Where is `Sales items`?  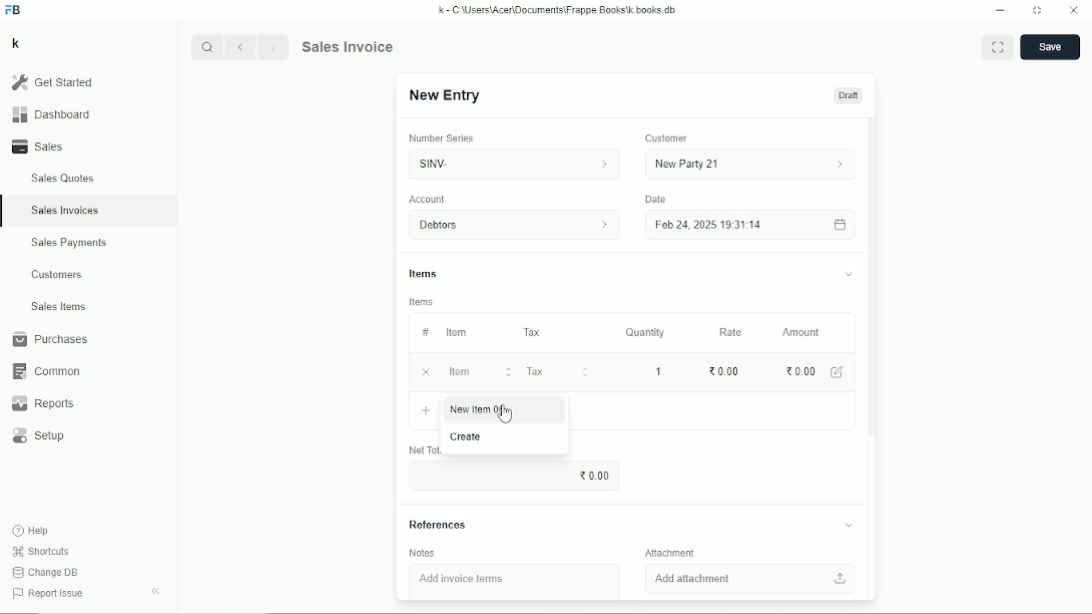 Sales items is located at coordinates (58, 307).